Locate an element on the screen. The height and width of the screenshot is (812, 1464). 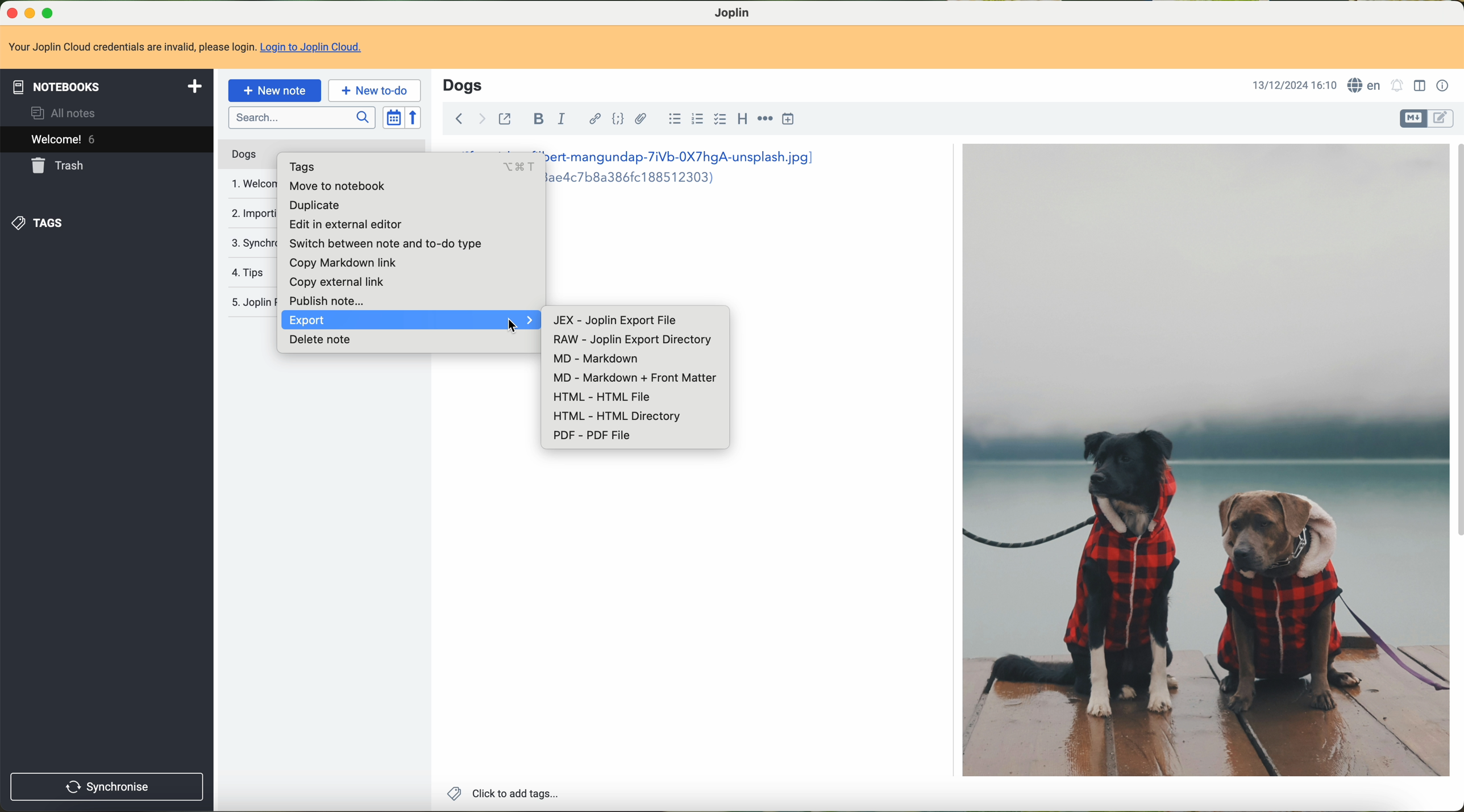
toggle editors is located at coordinates (1415, 118).